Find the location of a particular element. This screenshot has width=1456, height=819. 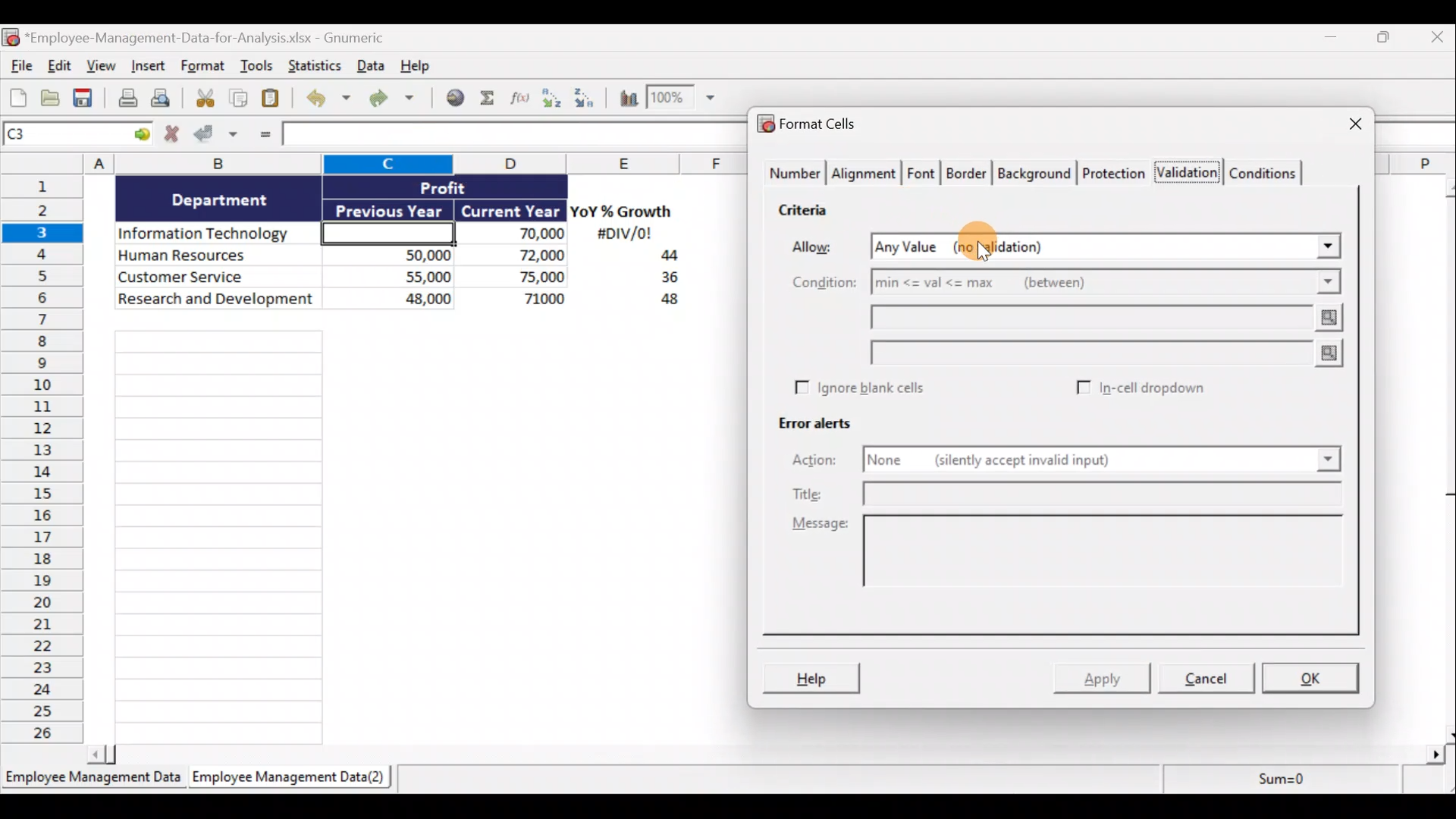

Formula bar is located at coordinates (510, 136).